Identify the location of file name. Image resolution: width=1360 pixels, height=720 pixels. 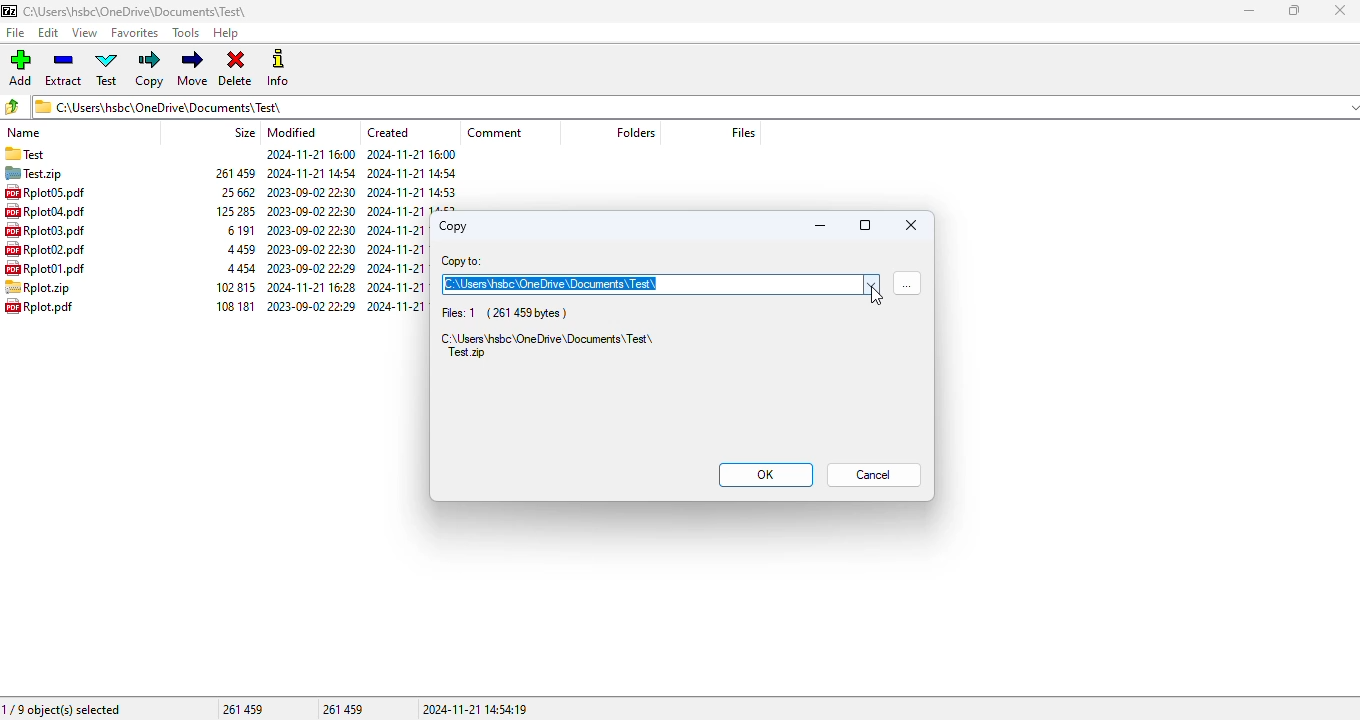
(44, 211).